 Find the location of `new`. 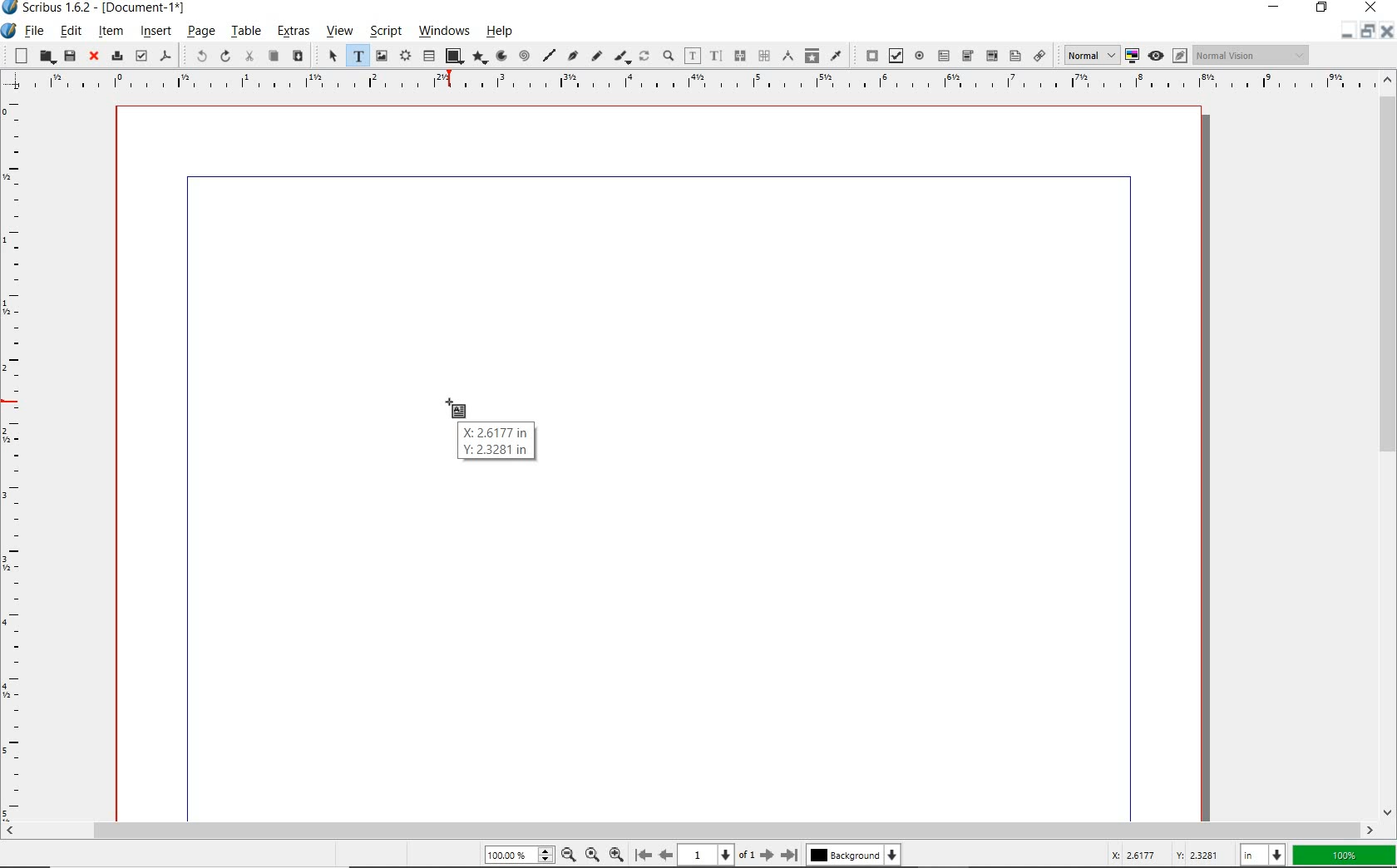

new is located at coordinates (21, 55).